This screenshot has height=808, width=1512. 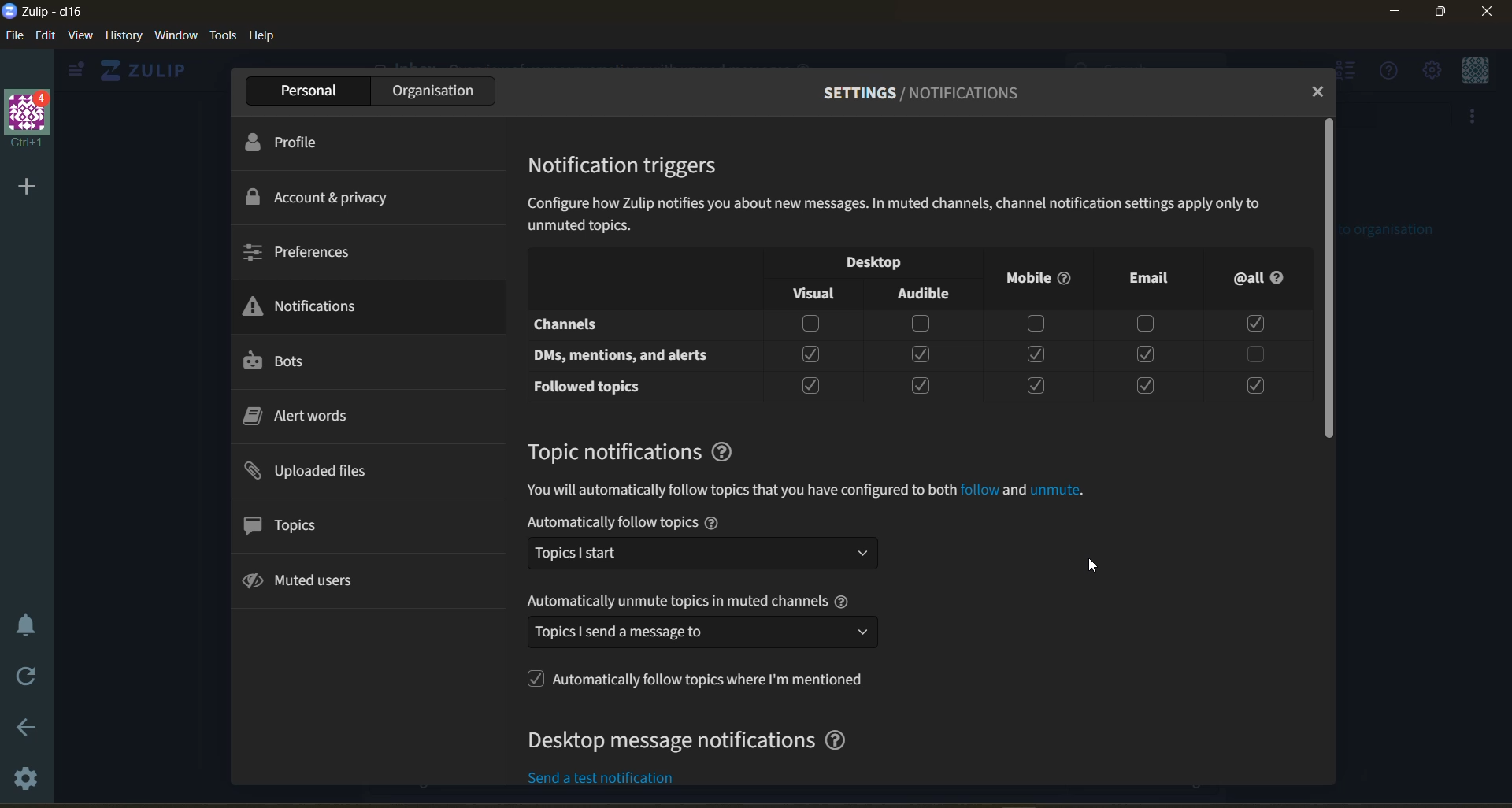 What do you see at coordinates (907, 92) in the screenshot?
I see `settings/profile` at bounding box center [907, 92].